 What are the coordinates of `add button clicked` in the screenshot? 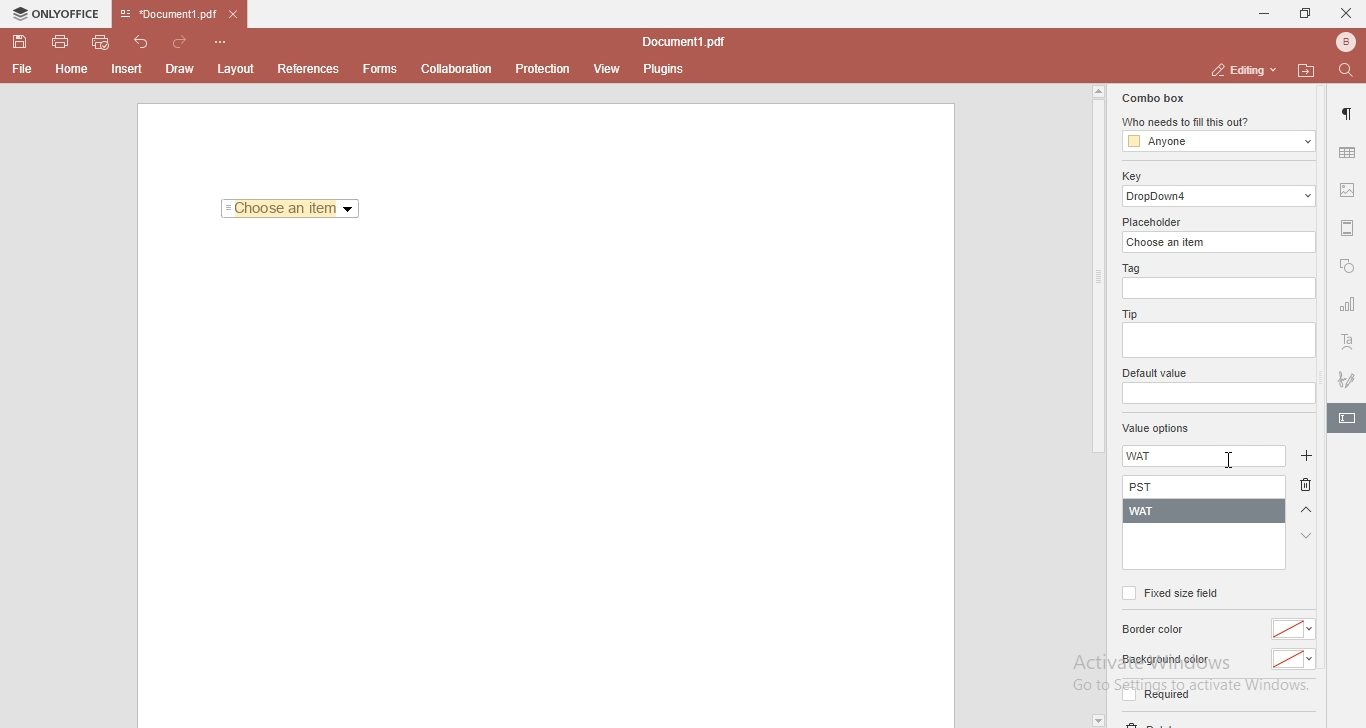 It's located at (1304, 457).